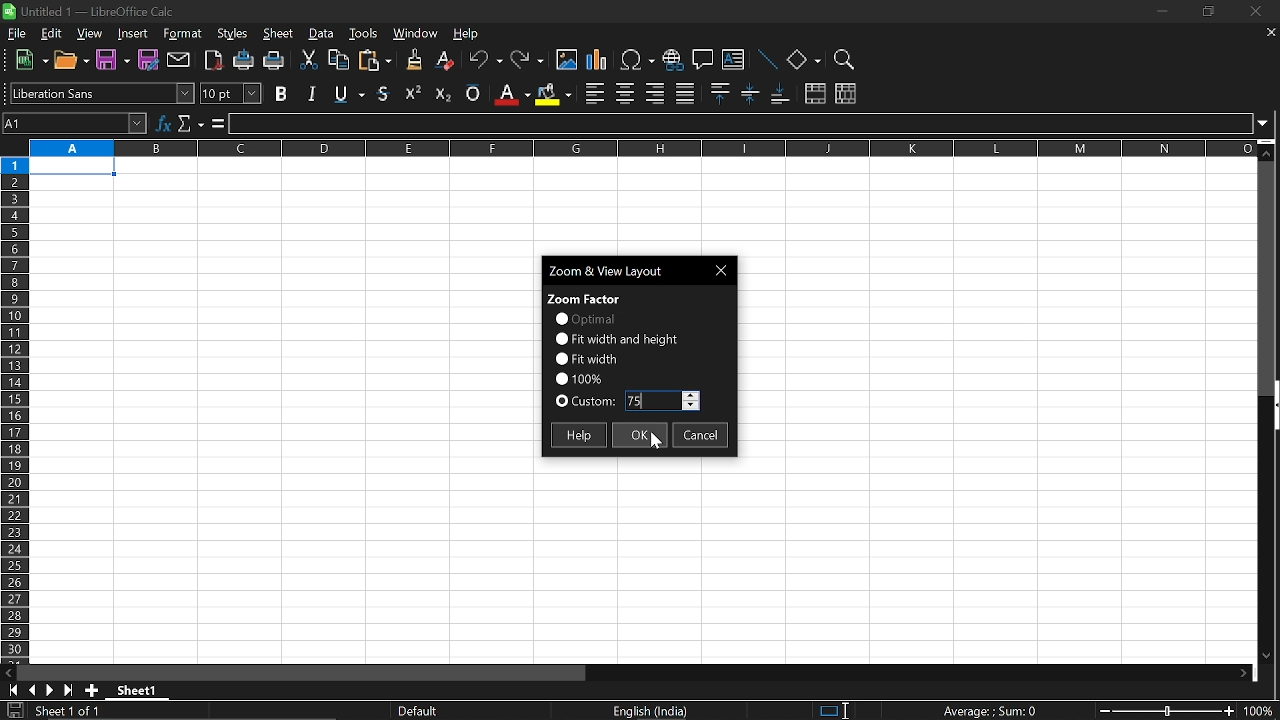 The image size is (1280, 720). What do you see at coordinates (584, 319) in the screenshot?
I see `optional` at bounding box center [584, 319].